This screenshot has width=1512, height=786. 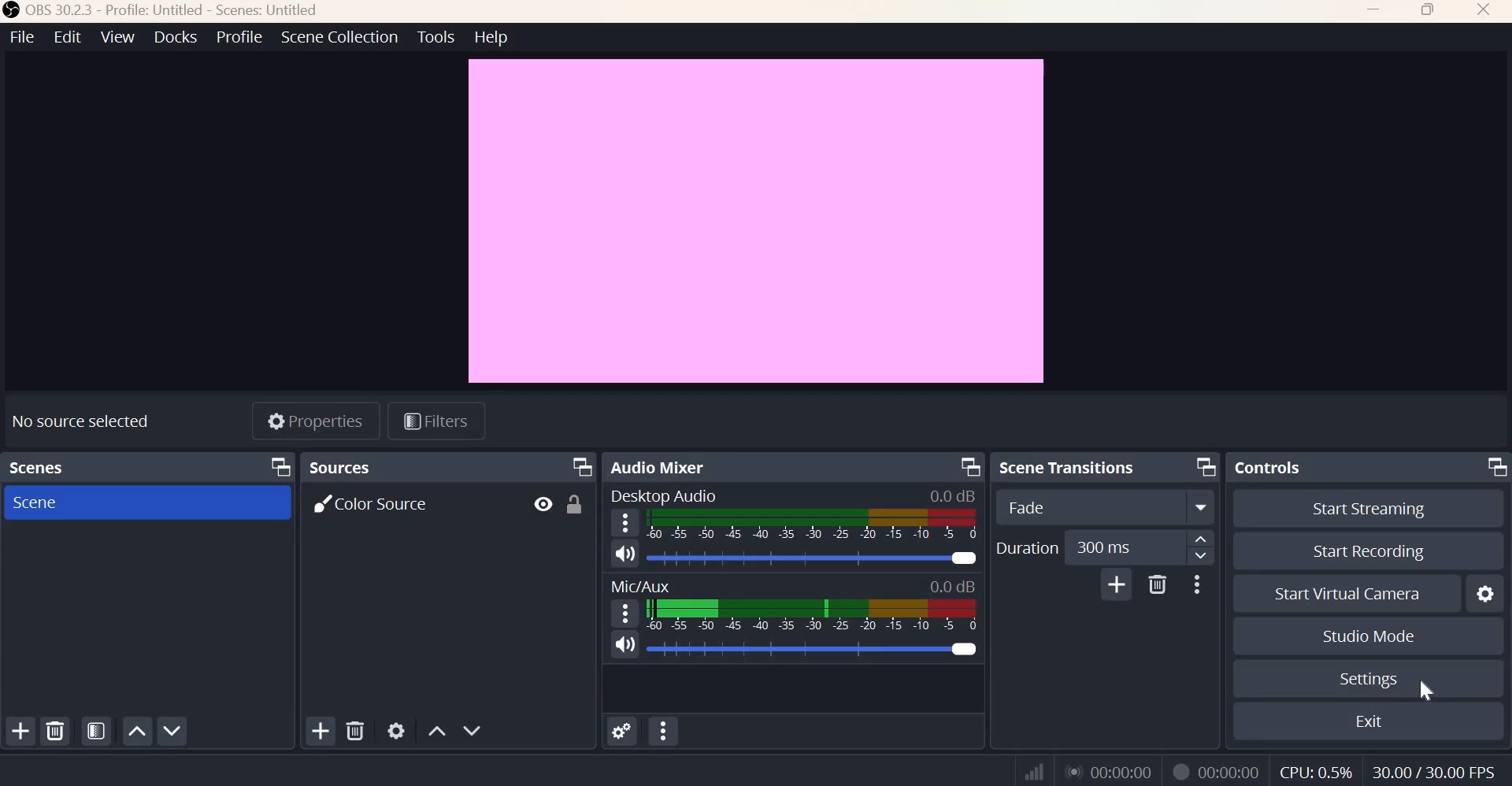 I want to click on Duration Input, so click(x=1136, y=547).